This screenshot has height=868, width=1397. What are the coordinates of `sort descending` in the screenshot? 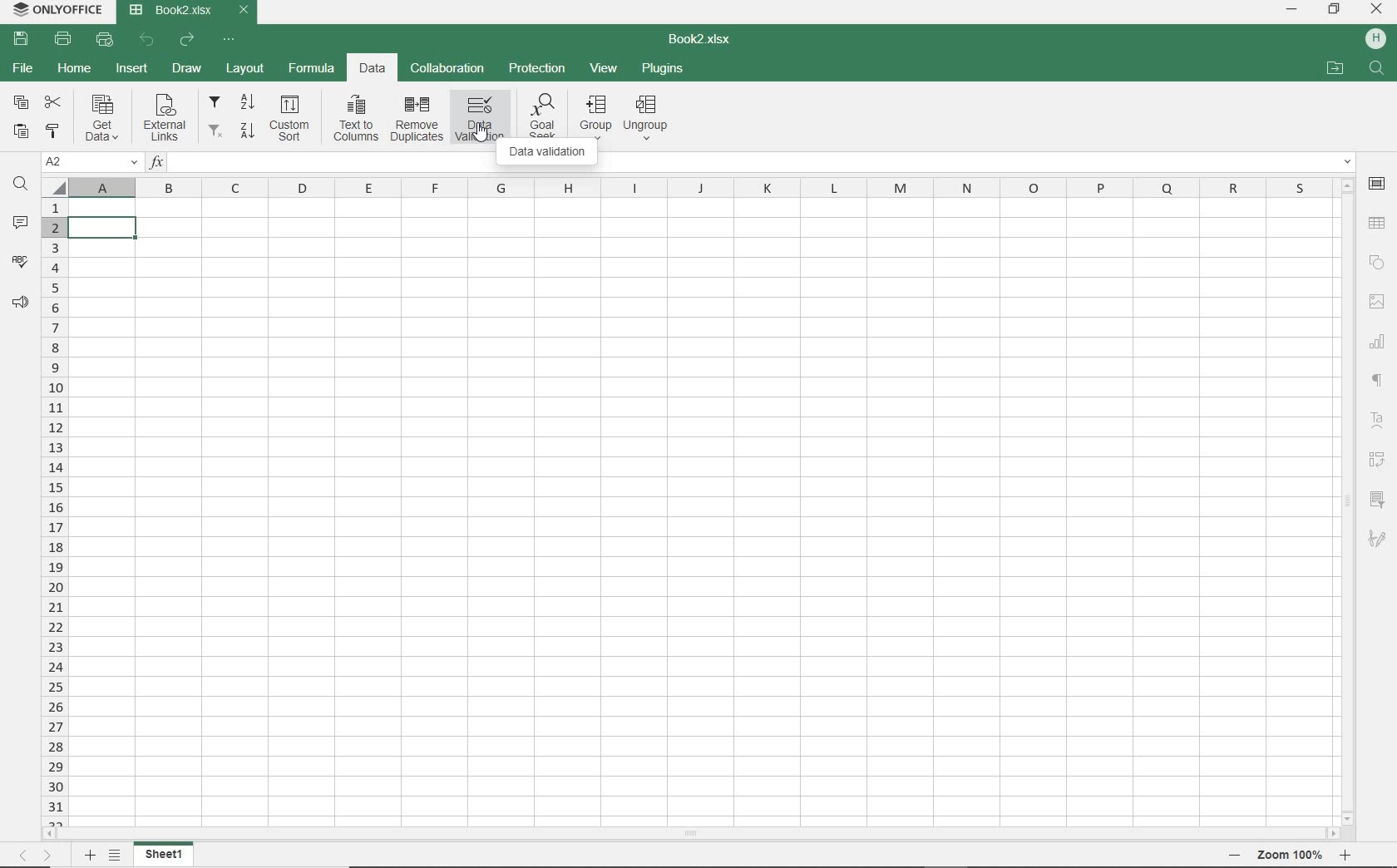 It's located at (248, 133).